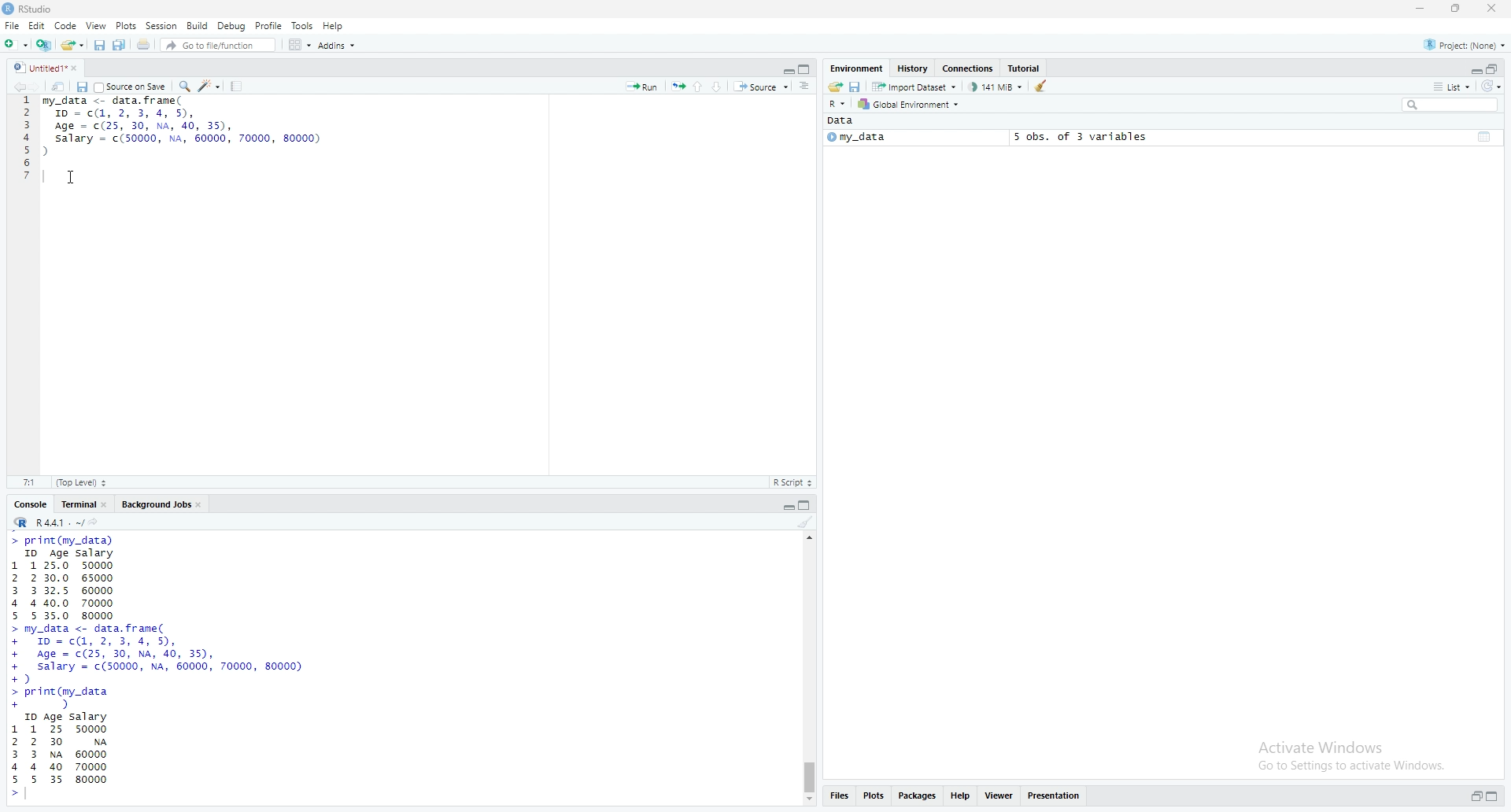  I want to click on R, so click(837, 105).